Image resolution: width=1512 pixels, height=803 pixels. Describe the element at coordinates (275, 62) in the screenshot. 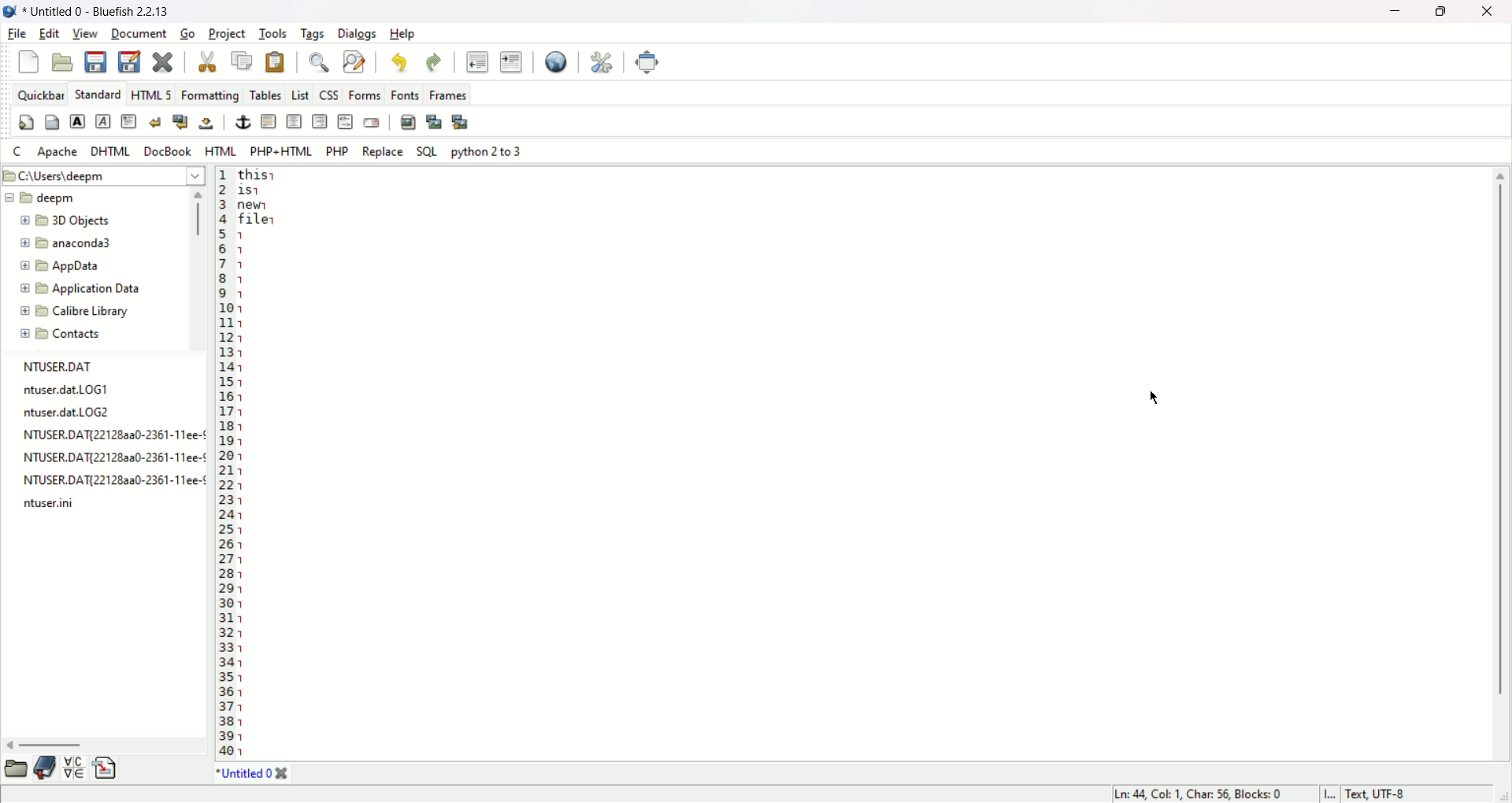

I see `paste` at that location.